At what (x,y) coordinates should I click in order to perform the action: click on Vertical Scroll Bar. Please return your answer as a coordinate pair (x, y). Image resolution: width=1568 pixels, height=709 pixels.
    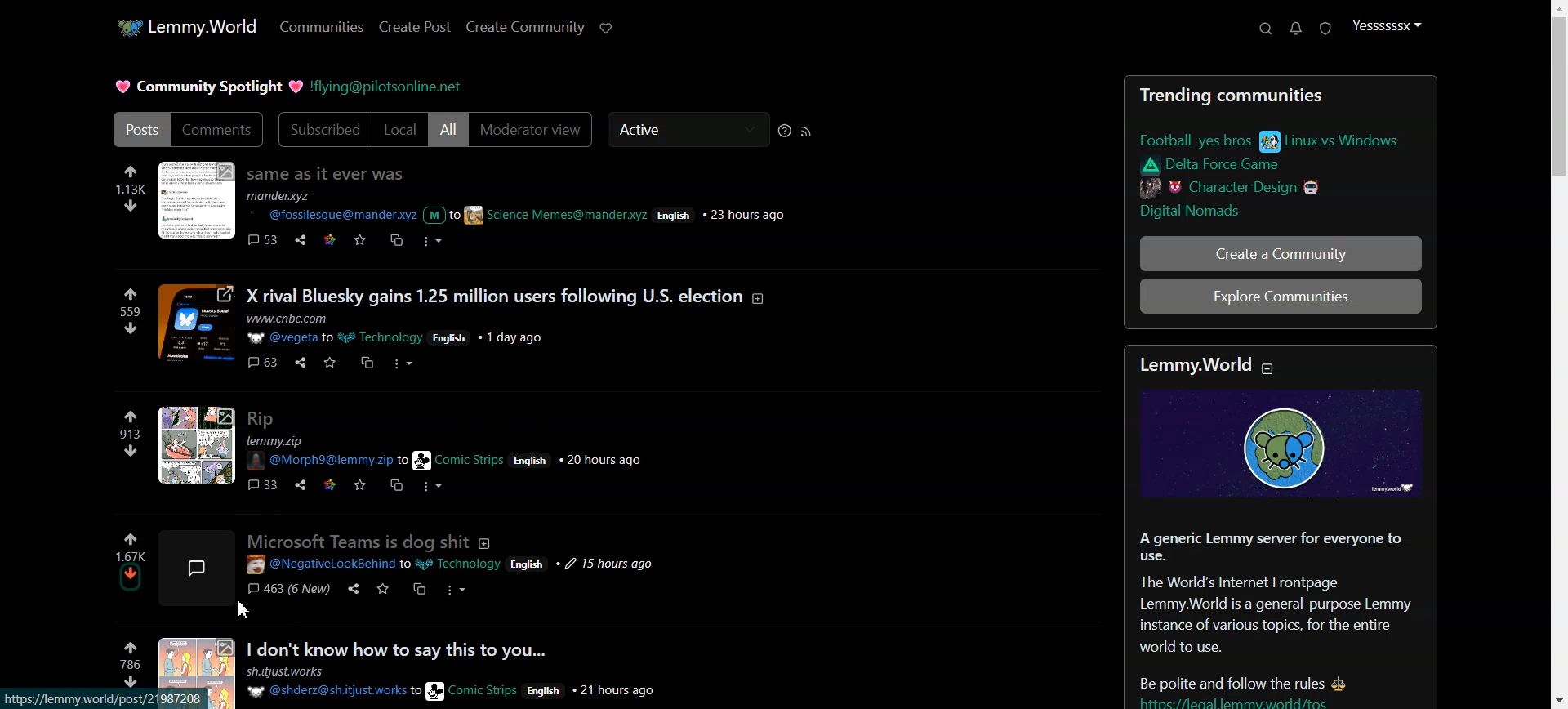
    Looking at the image, I should click on (1558, 354).